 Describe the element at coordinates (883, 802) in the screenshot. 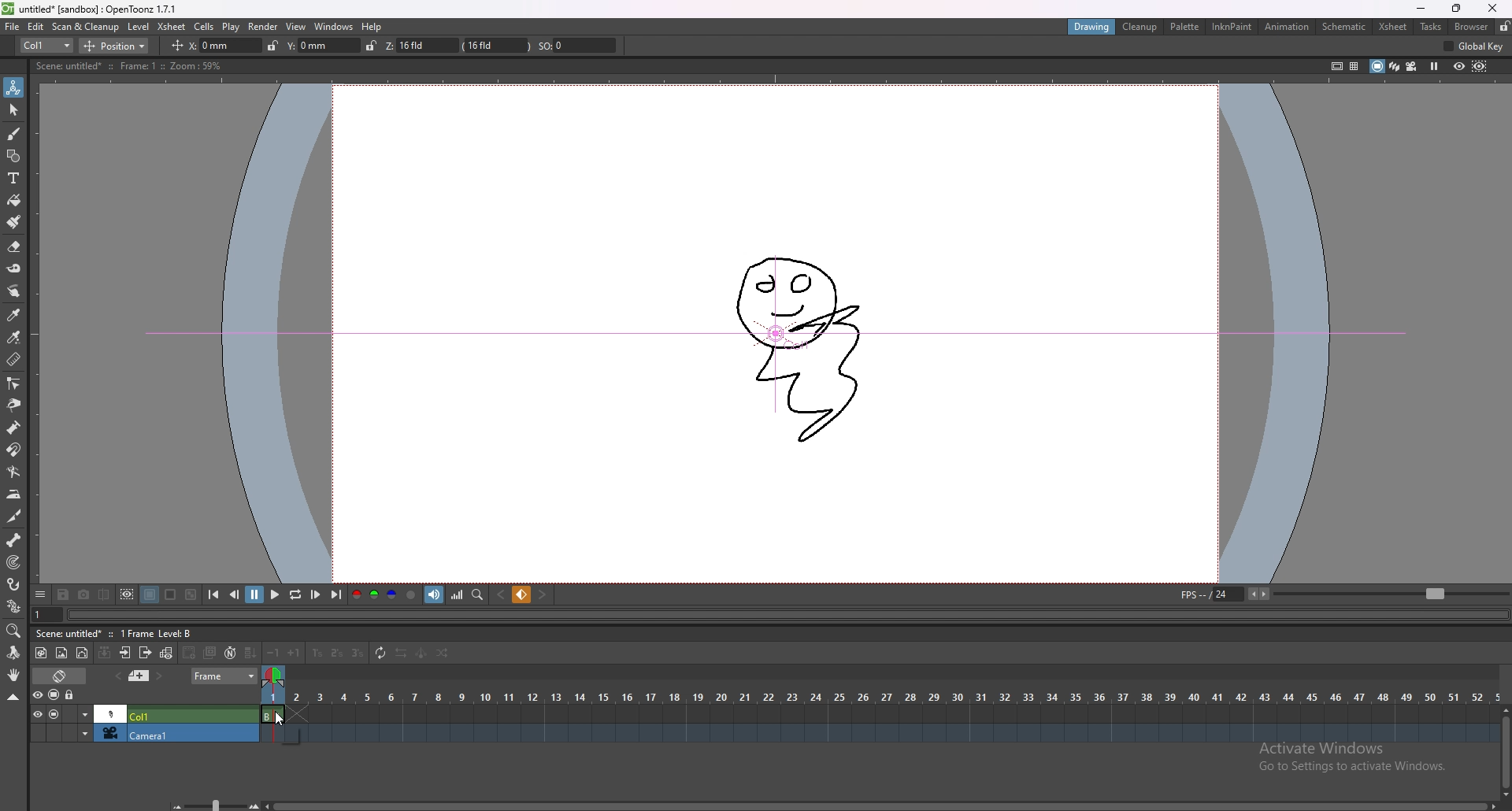

I see `Scrollbar` at that location.